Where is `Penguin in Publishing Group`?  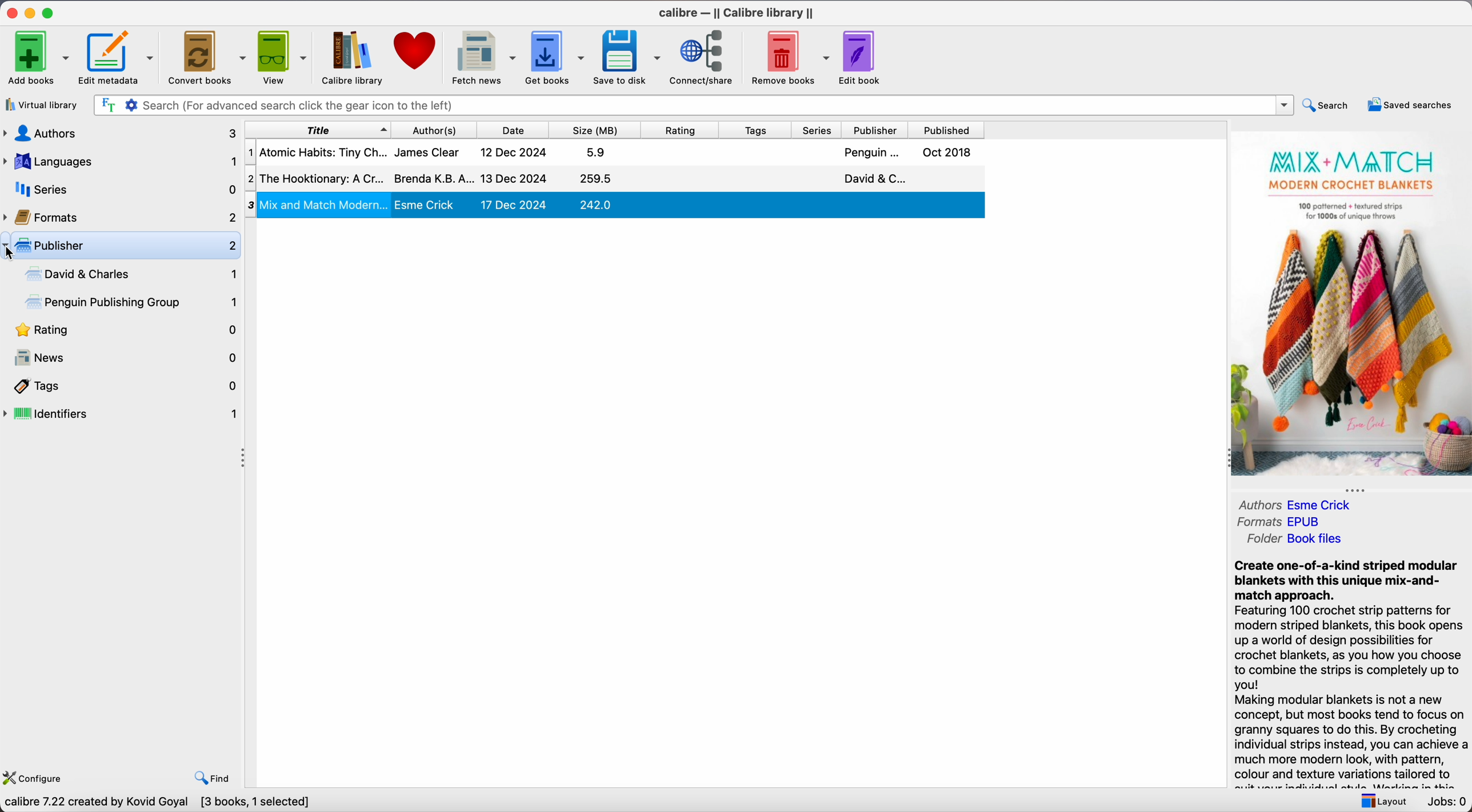
Penguin in Publishing Group is located at coordinates (133, 303).